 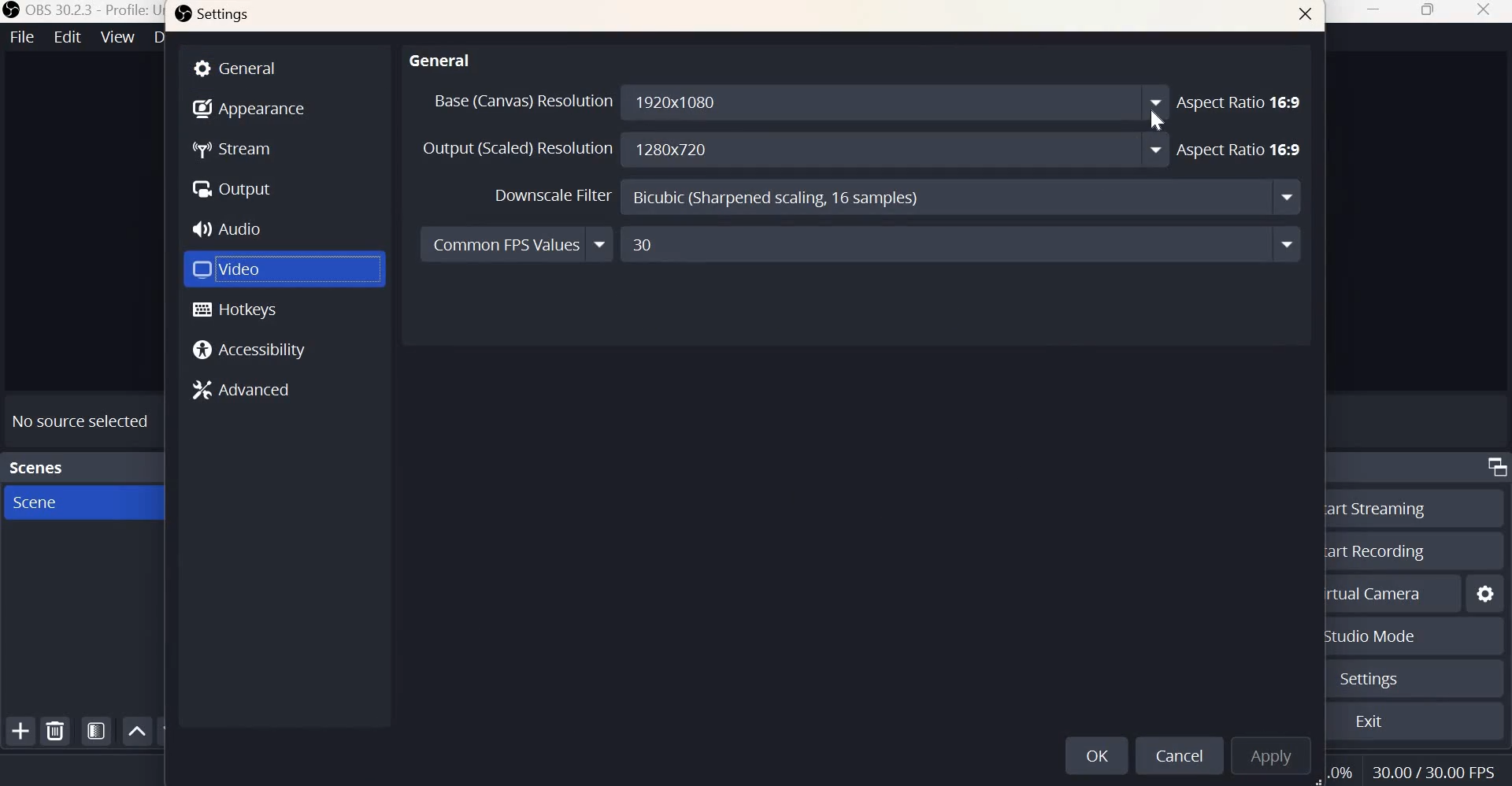 I want to click on Bicubic (sharpened scaling, 16 samples), so click(x=960, y=198).